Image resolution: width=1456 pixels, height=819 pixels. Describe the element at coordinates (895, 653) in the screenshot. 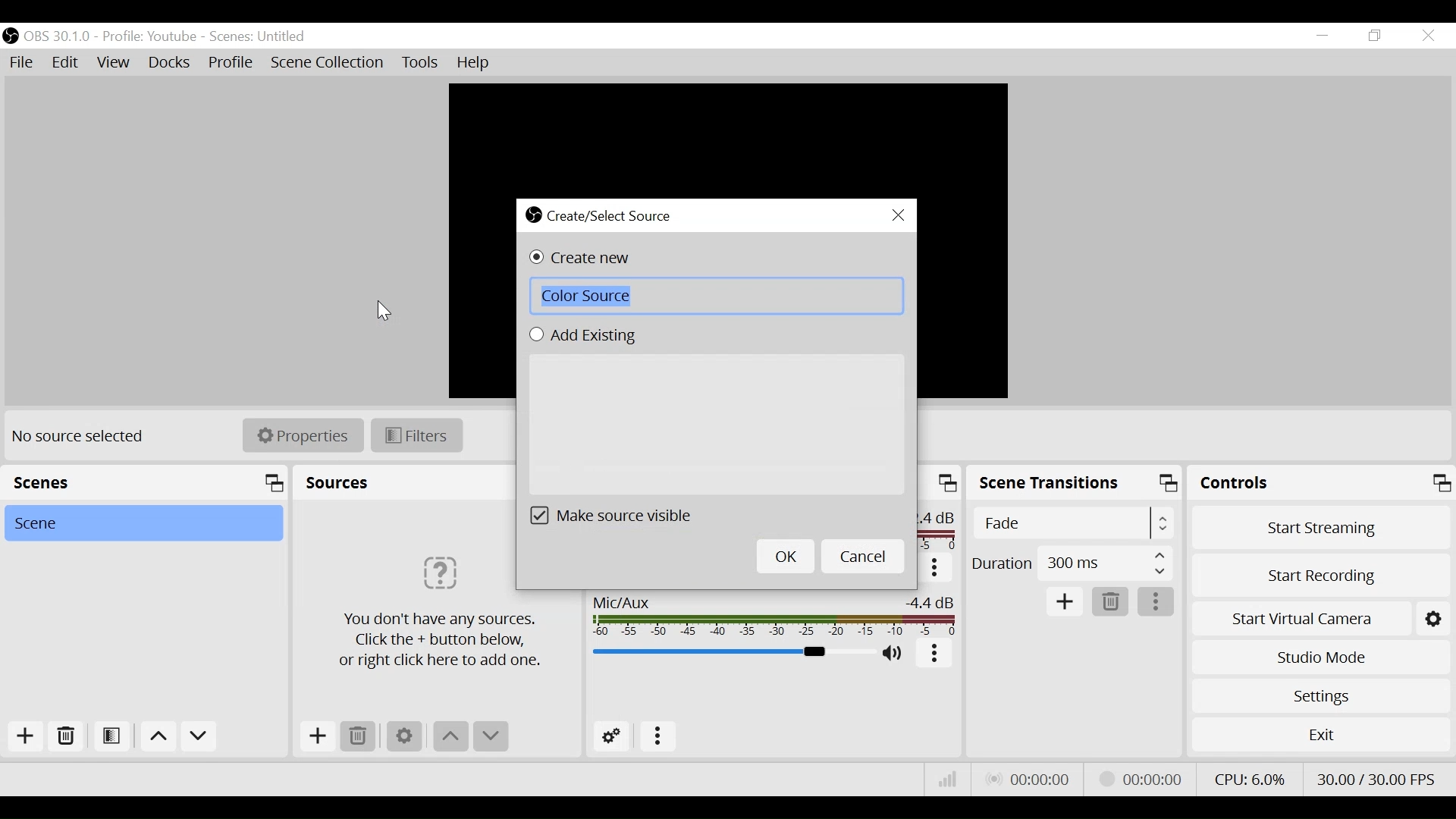

I see `(un)mute` at that location.